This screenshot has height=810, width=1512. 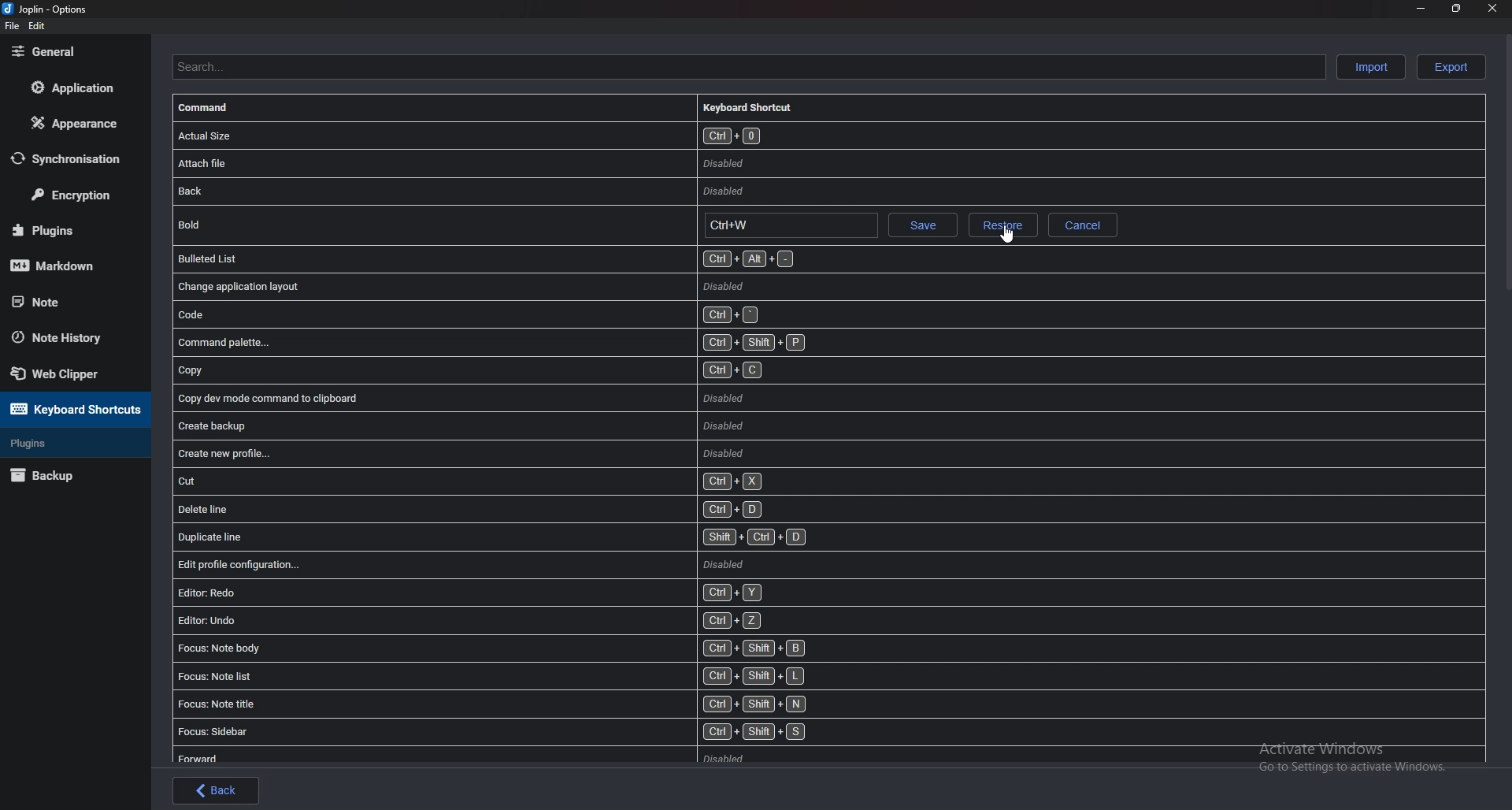 I want to click on Copy, so click(x=475, y=371).